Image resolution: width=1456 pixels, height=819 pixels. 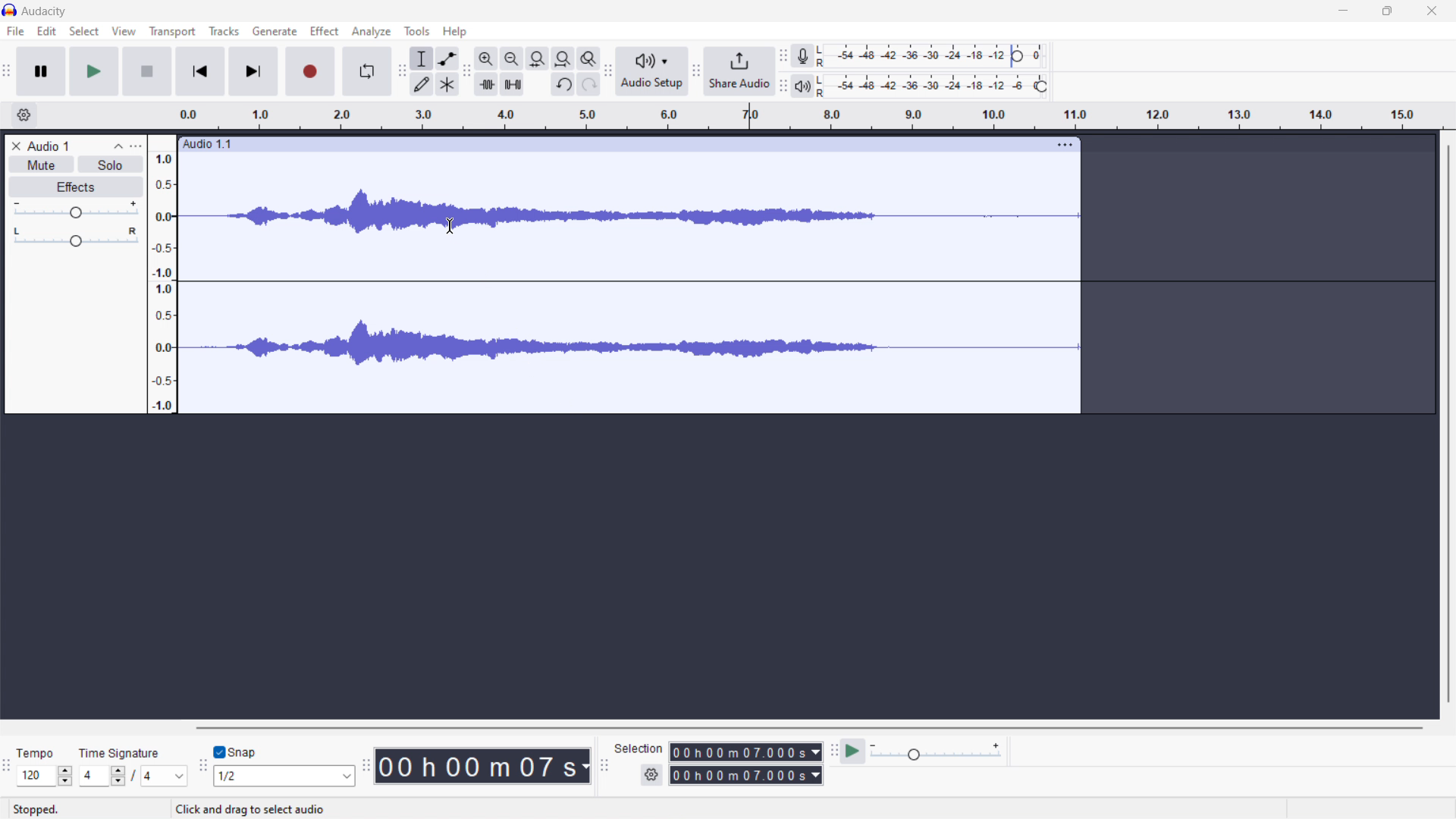 What do you see at coordinates (75, 187) in the screenshot?
I see `effects` at bounding box center [75, 187].